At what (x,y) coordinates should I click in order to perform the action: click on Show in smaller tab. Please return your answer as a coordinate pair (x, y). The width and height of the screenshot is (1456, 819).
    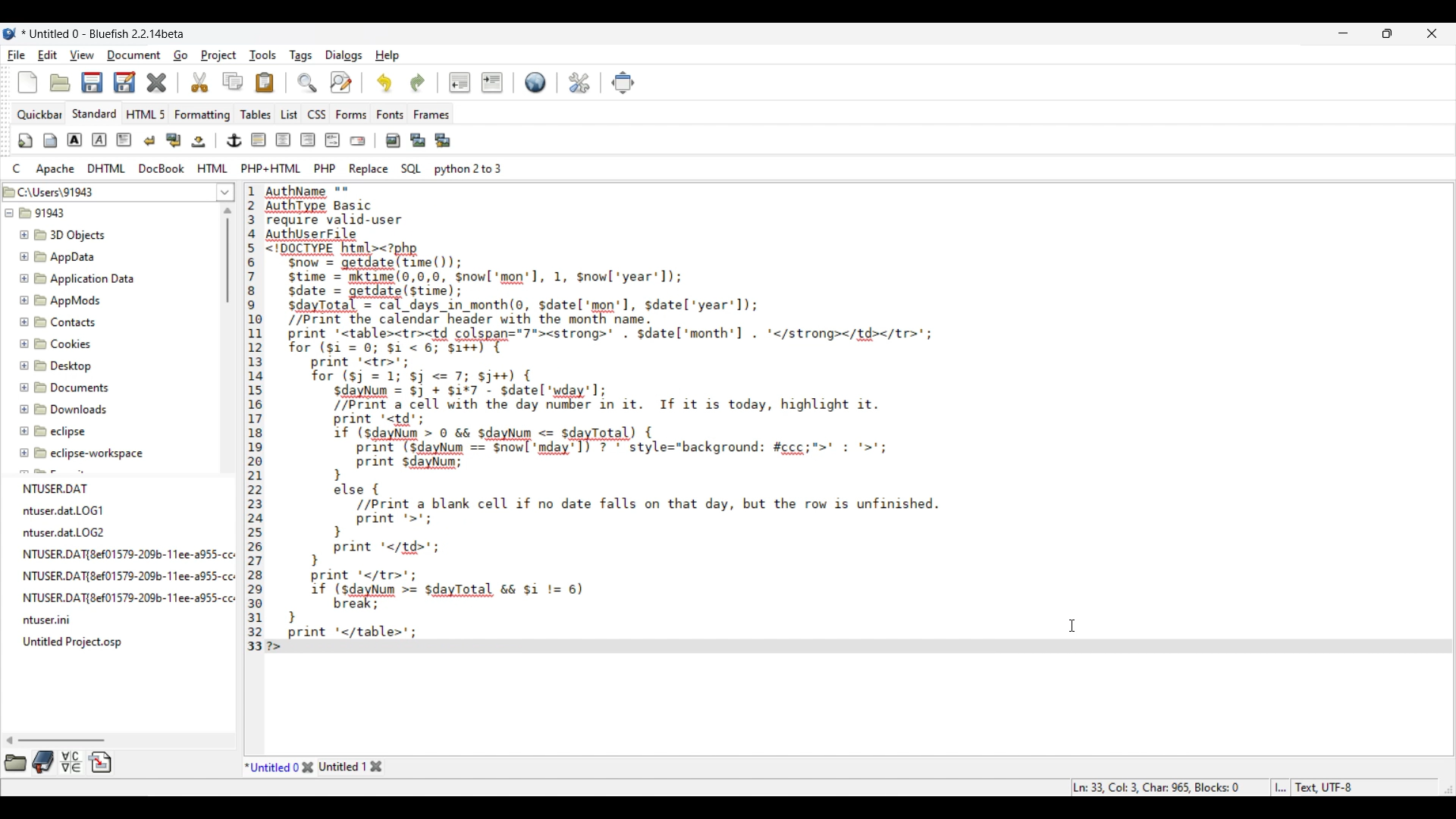
    Looking at the image, I should click on (1387, 33).